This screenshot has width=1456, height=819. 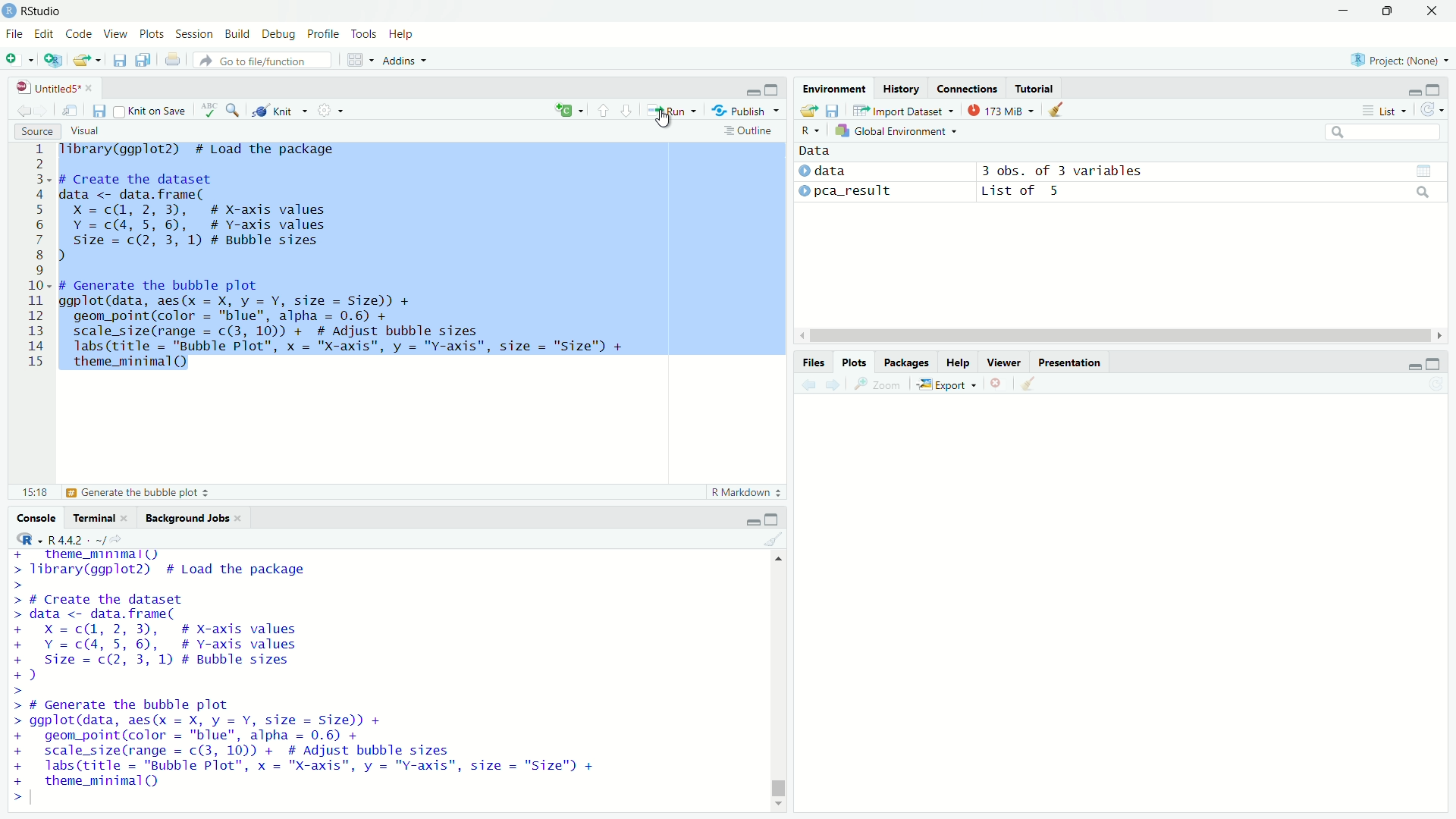 What do you see at coordinates (1057, 108) in the screenshot?
I see `clear objects` at bounding box center [1057, 108].